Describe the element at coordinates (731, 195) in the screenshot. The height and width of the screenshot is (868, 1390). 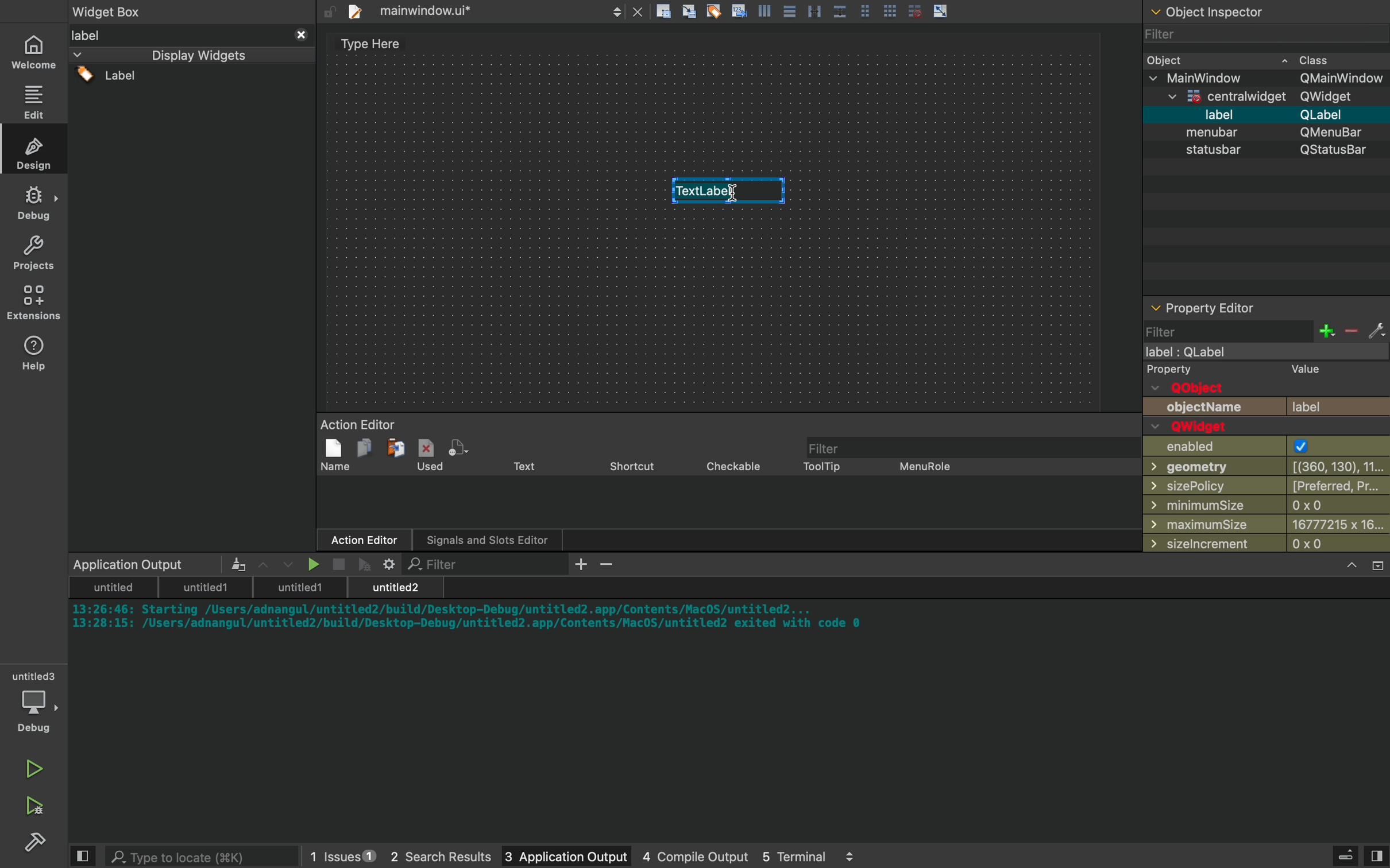
I see `Text cursor` at that location.